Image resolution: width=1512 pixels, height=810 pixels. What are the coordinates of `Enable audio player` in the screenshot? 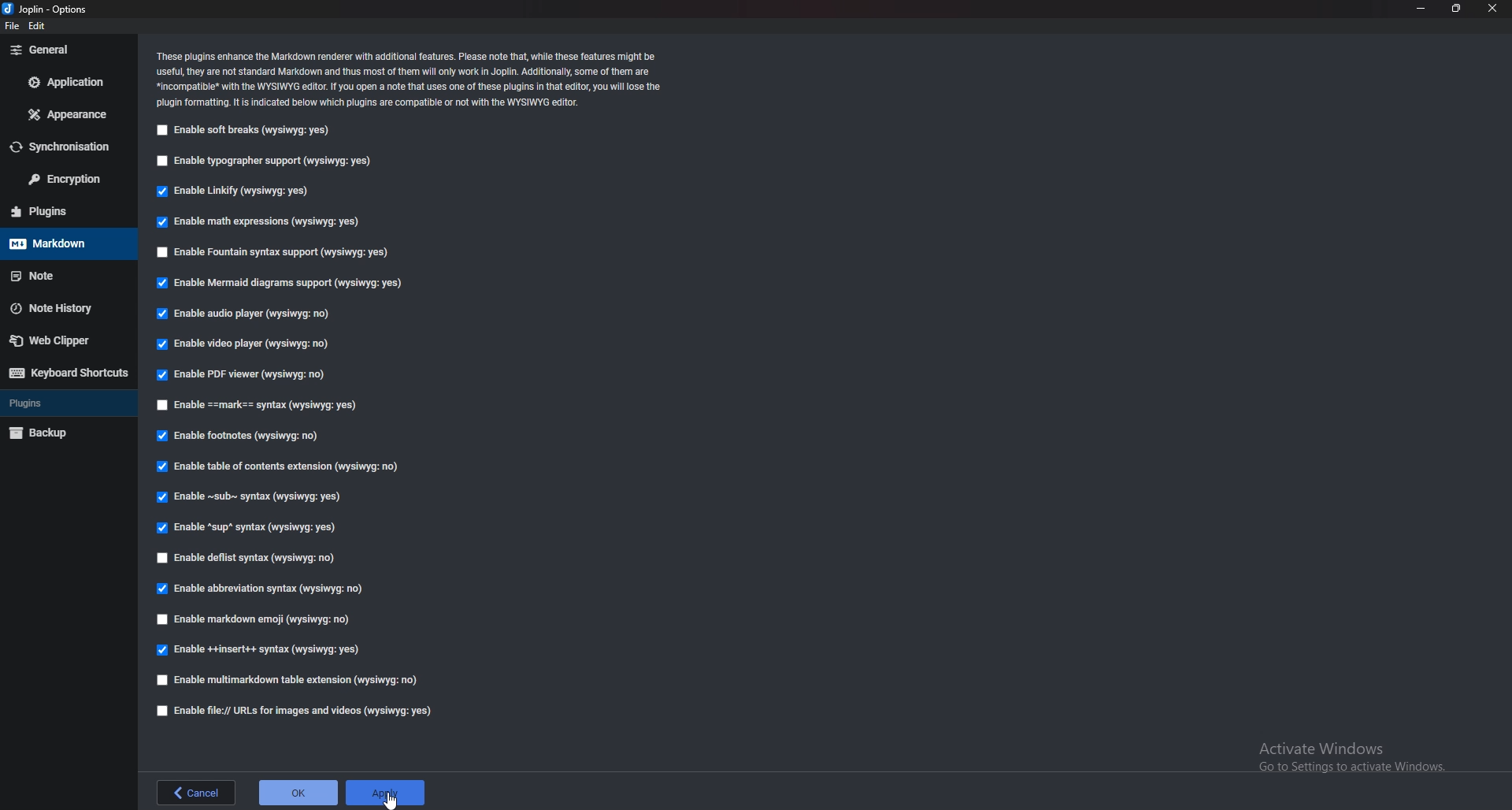 It's located at (256, 313).